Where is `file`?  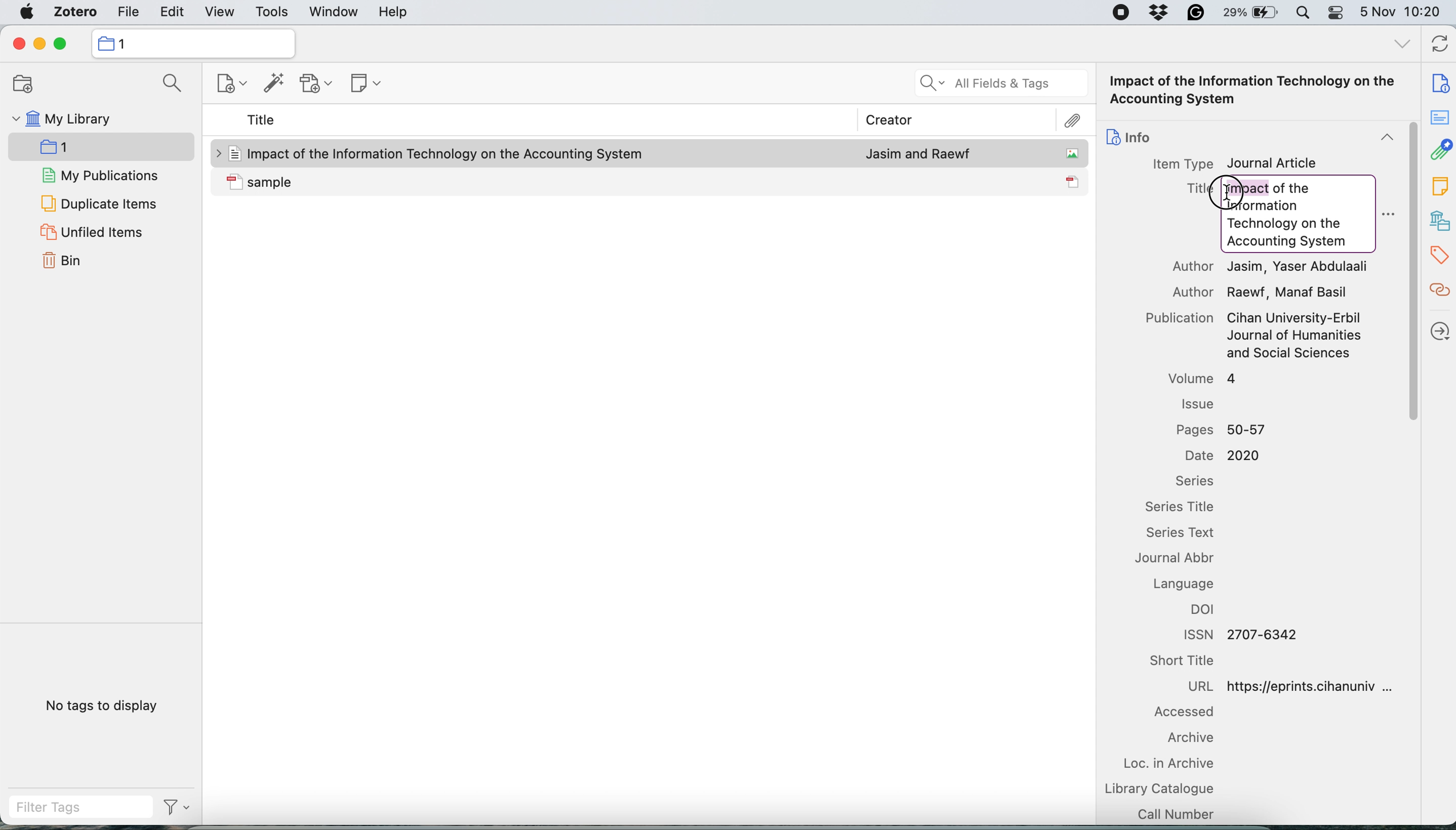 file is located at coordinates (128, 12).